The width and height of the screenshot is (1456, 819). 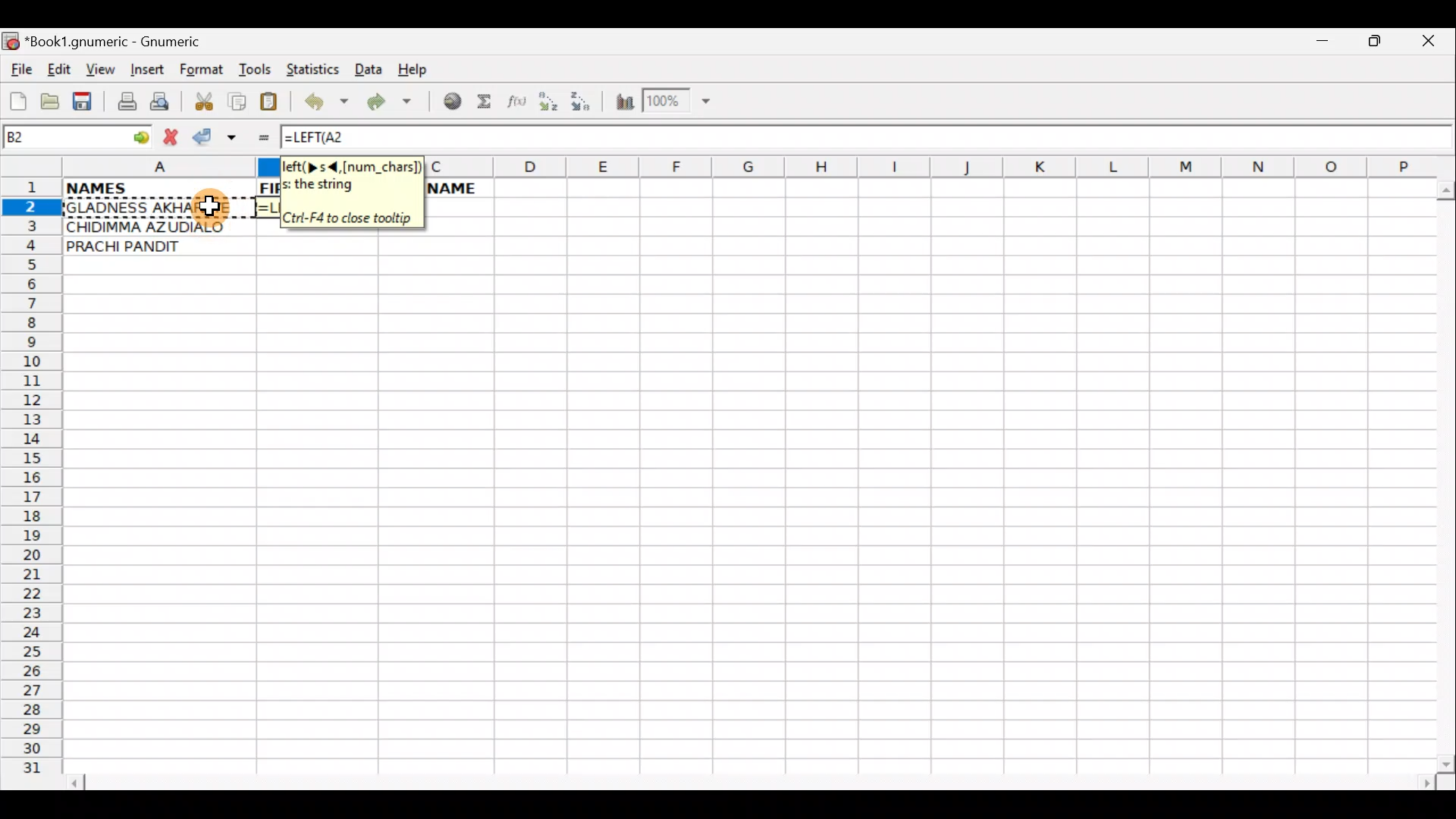 I want to click on Maximize, so click(x=1377, y=44).